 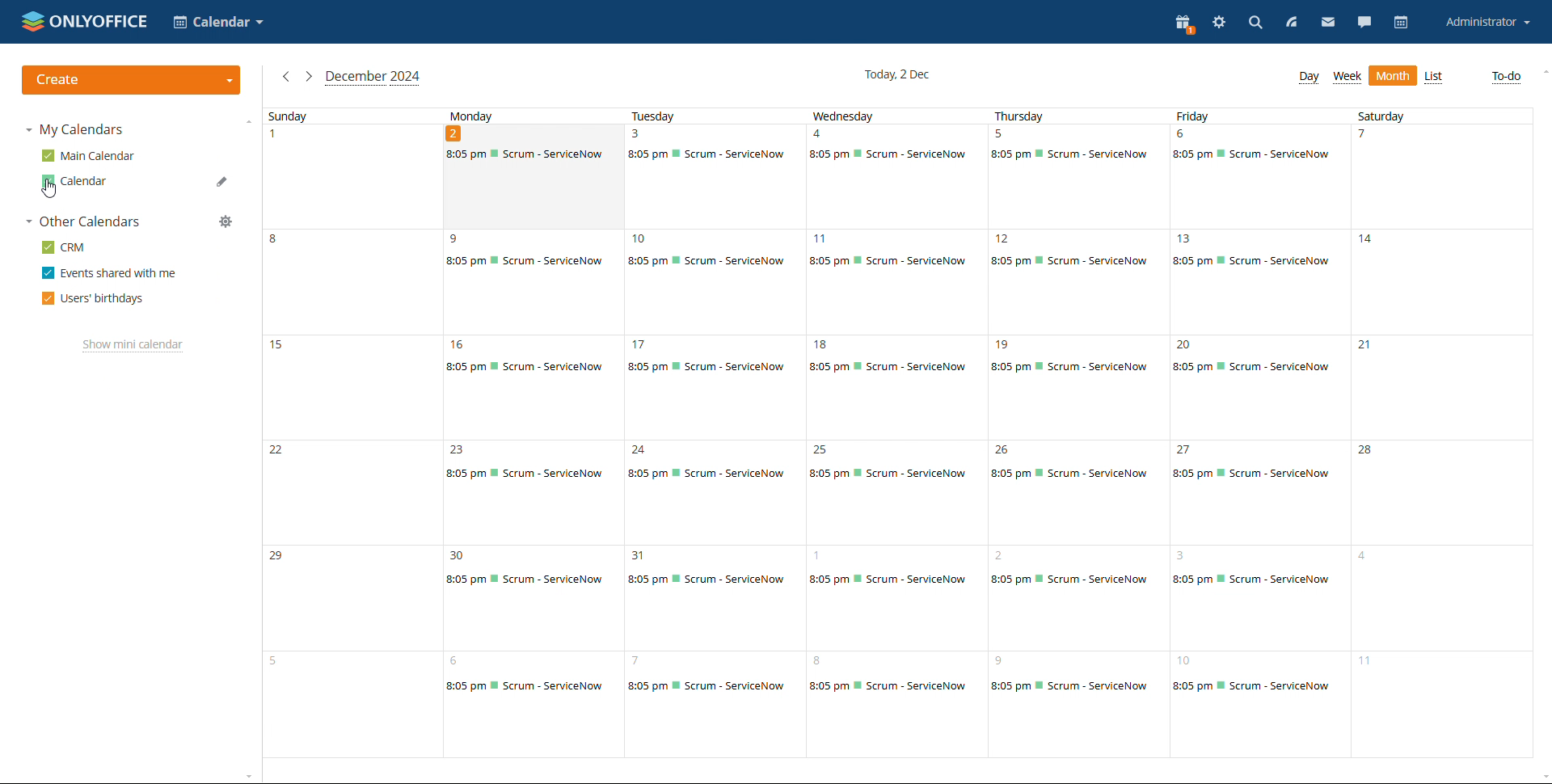 What do you see at coordinates (1309, 78) in the screenshot?
I see `dat view` at bounding box center [1309, 78].